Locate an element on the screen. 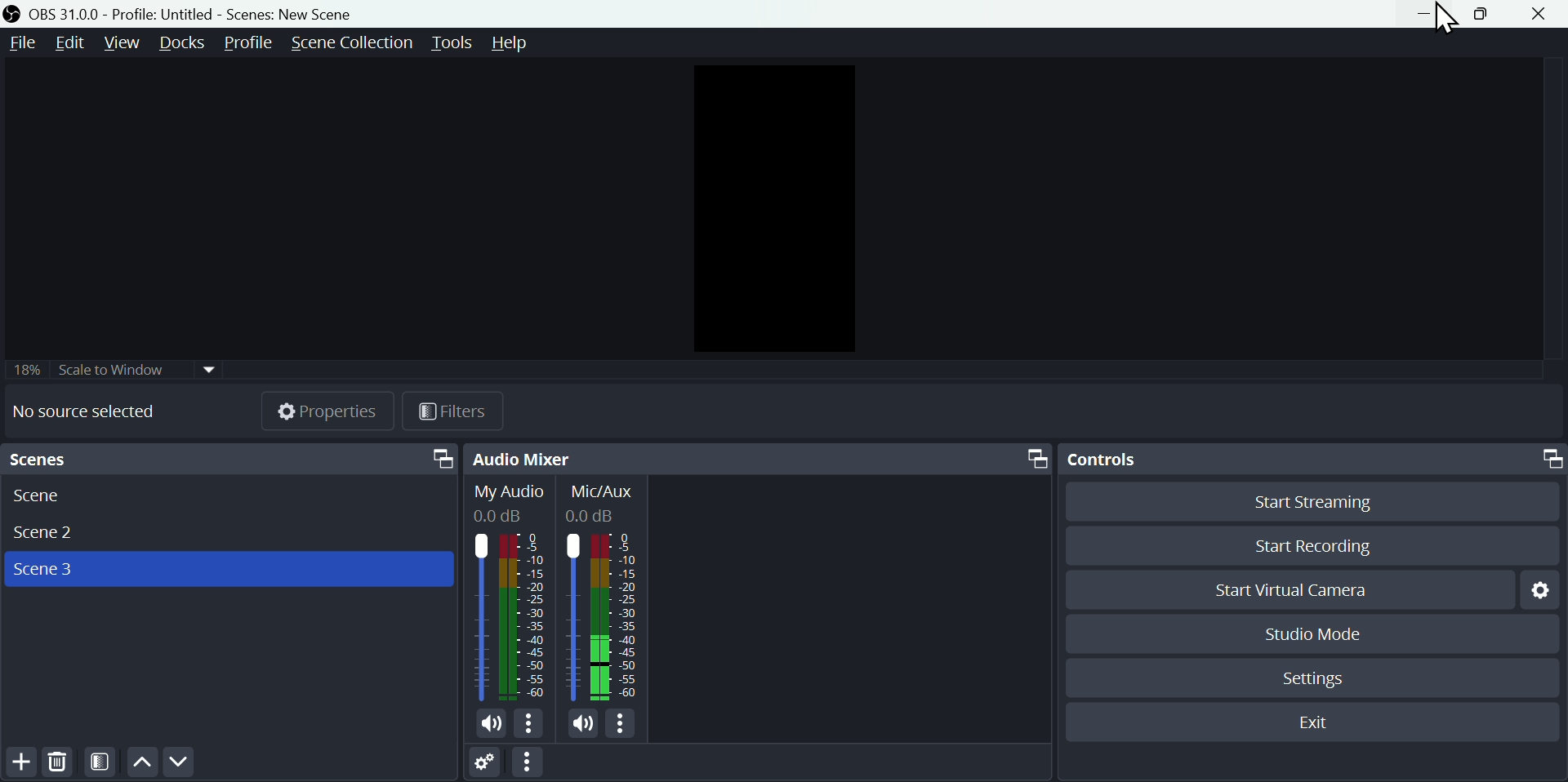  Add is located at coordinates (18, 765).